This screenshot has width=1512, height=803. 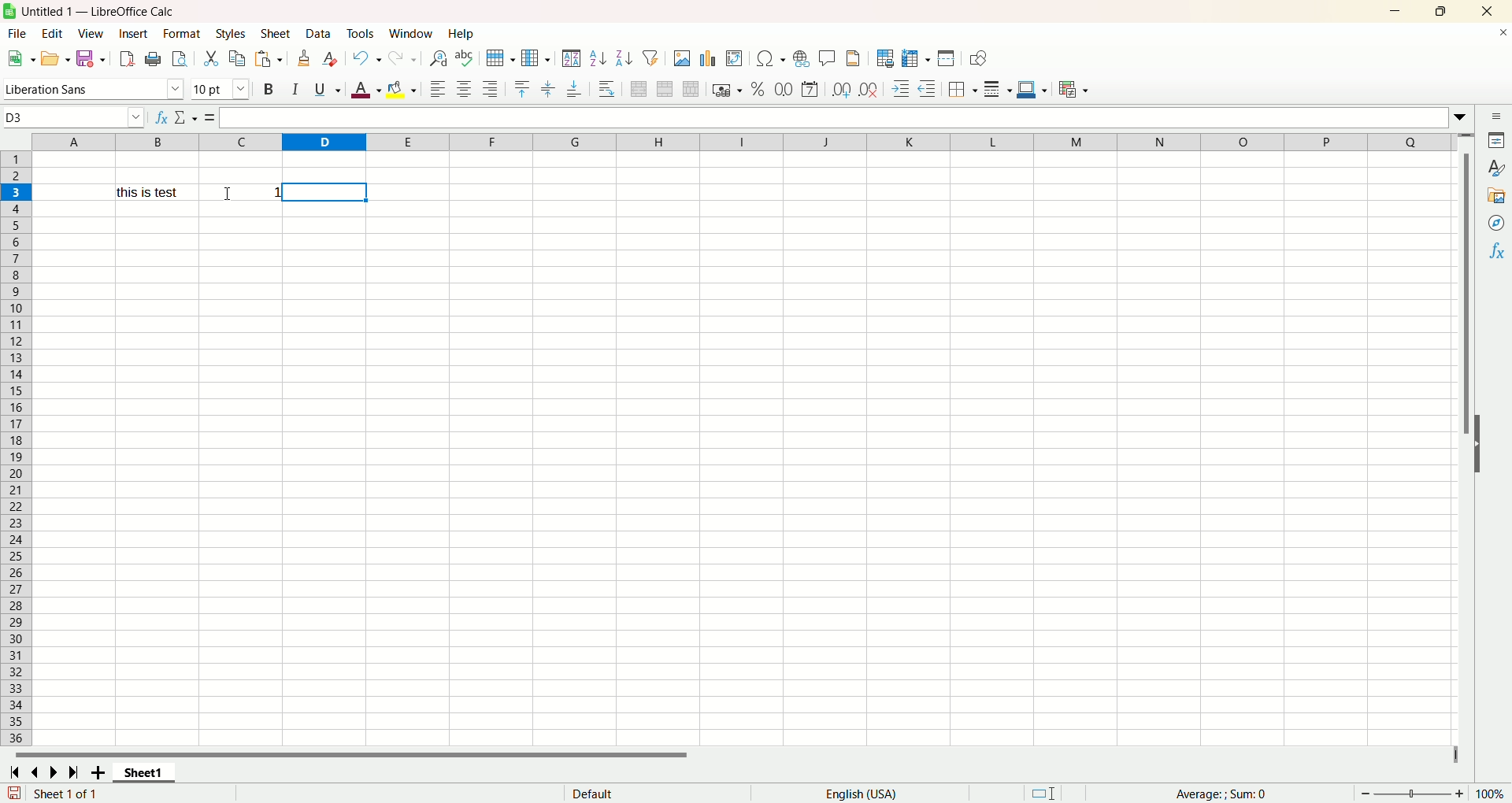 What do you see at coordinates (829, 57) in the screenshot?
I see `insert comment` at bounding box center [829, 57].